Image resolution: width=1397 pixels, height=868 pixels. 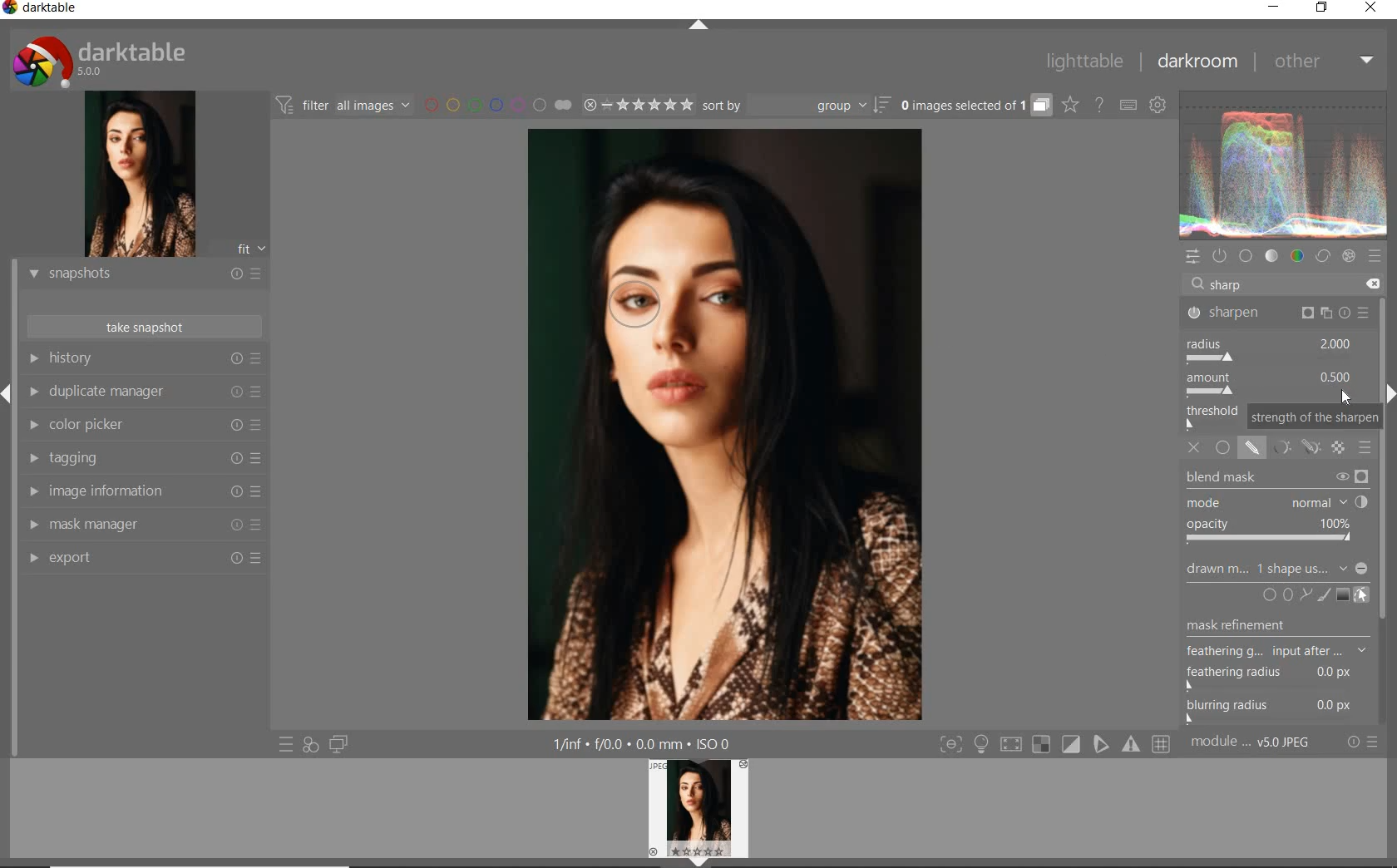 I want to click on restore, so click(x=1323, y=10).